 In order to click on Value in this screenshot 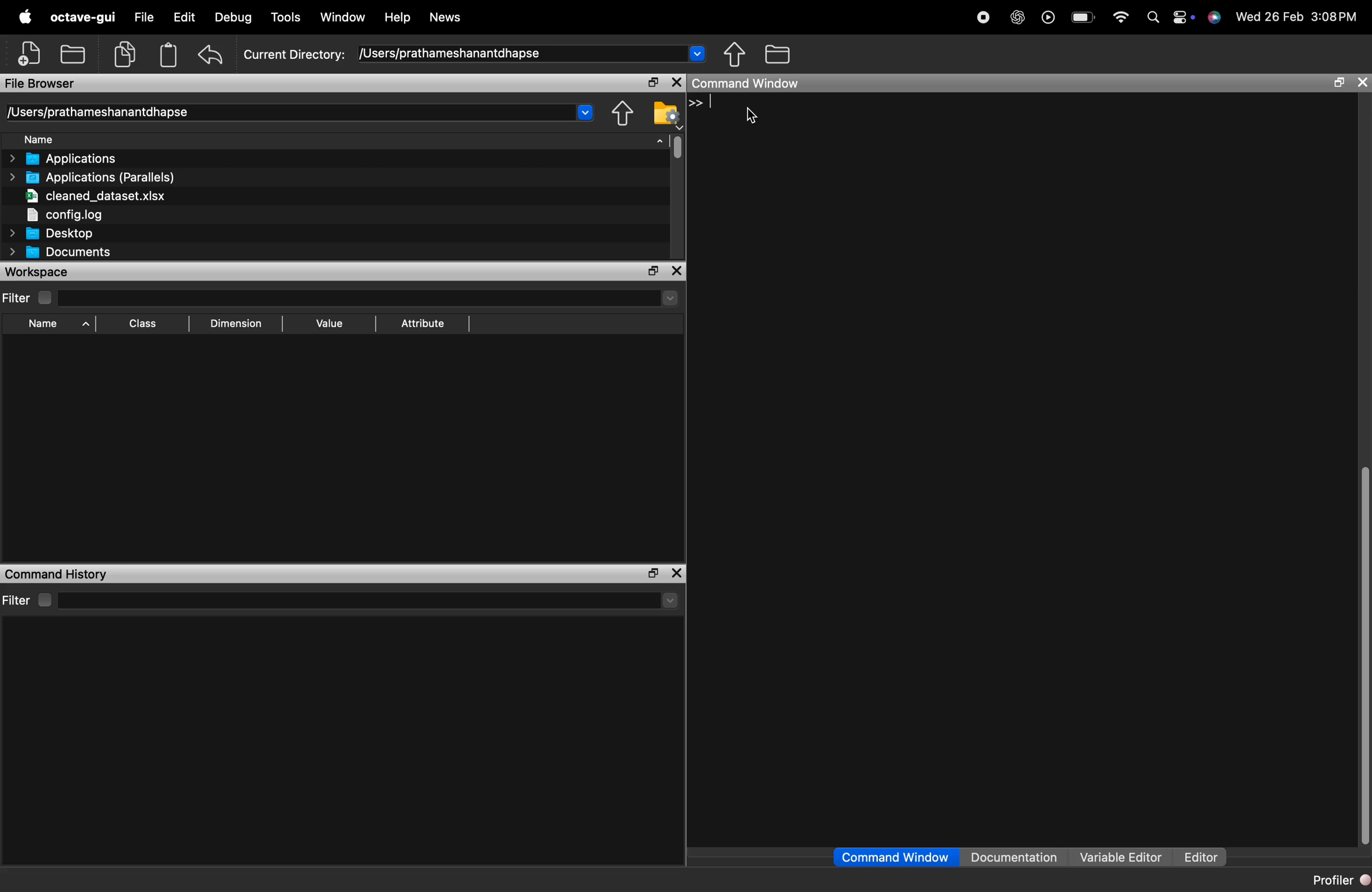, I will do `click(328, 327)`.